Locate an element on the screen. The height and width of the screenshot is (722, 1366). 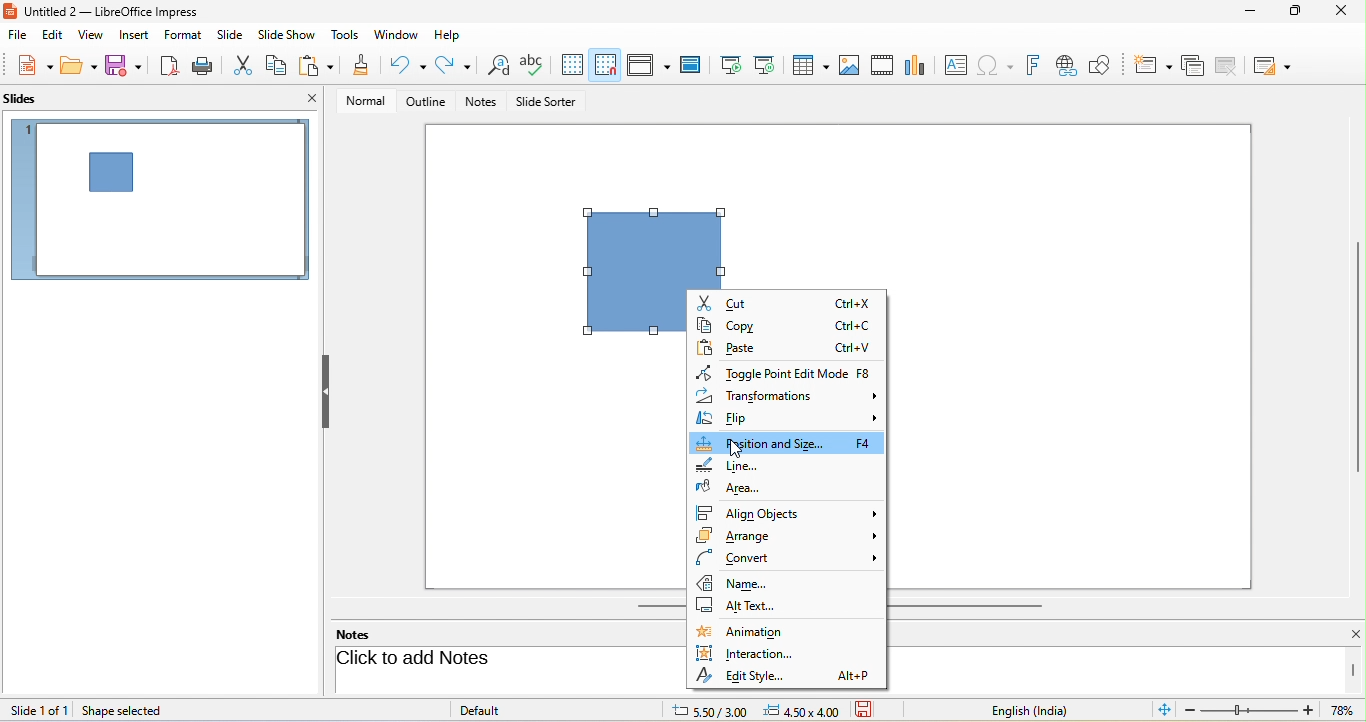
position and size is located at coordinates (789, 443).